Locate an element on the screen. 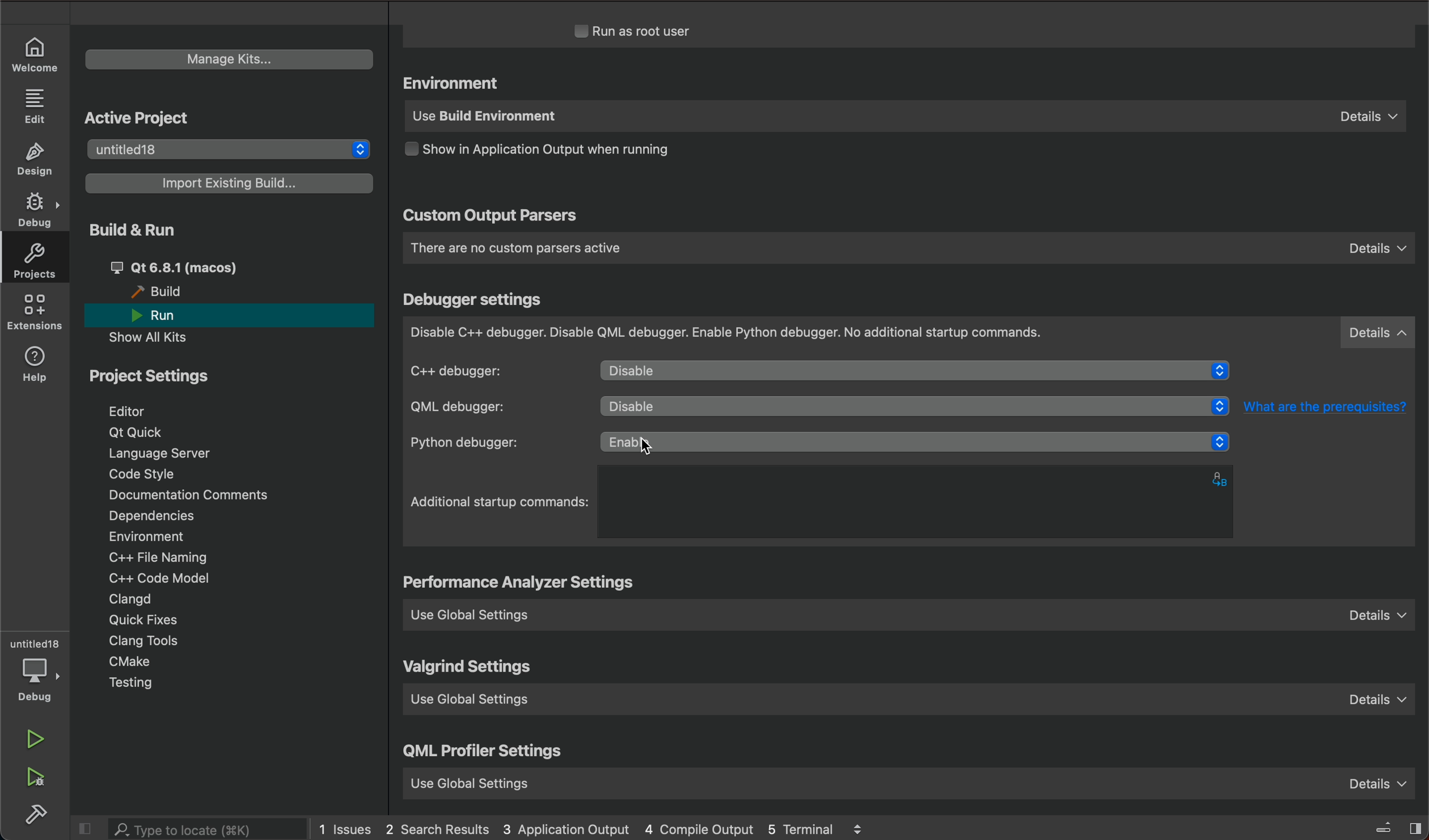 Image resolution: width=1429 pixels, height=840 pixels. show all is located at coordinates (157, 337).